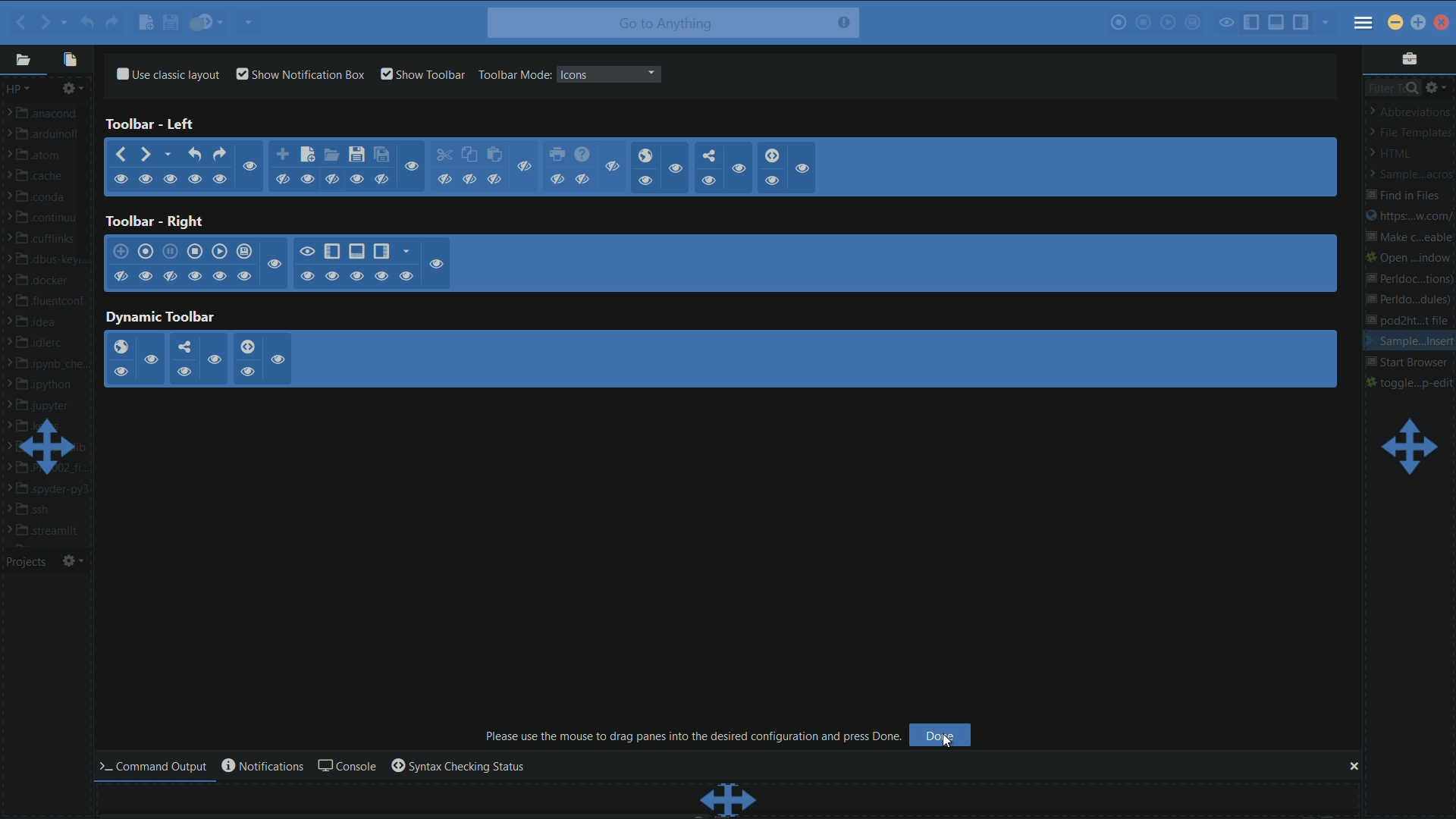 The height and width of the screenshot is (819, 1456). What do you see at coordinates (194, 275) in the screenshot?
I see `hide/show` at bounding box center [194, 275].